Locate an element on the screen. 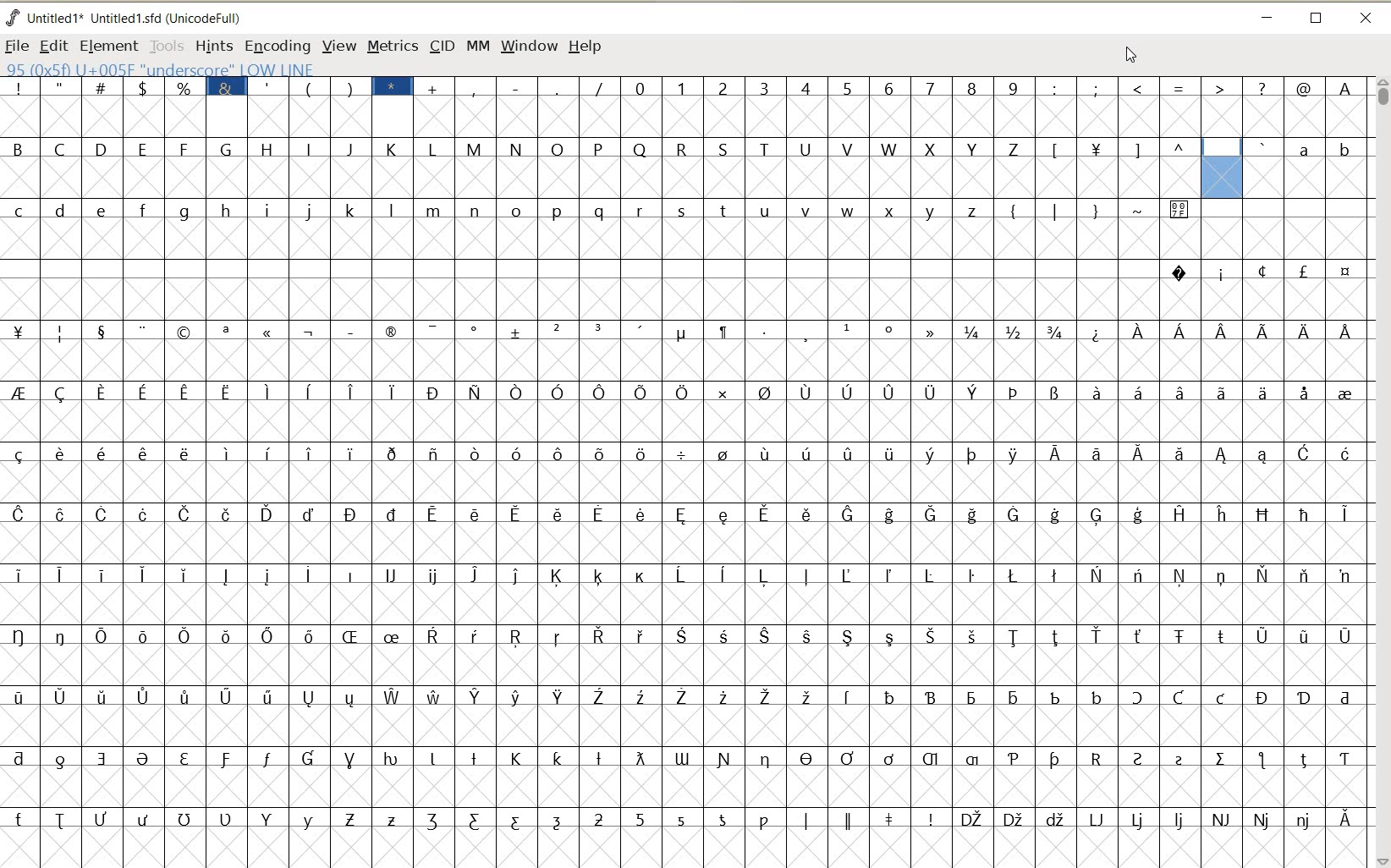  GLYPHY CHARACTERS is located at coordinates (869, 491).